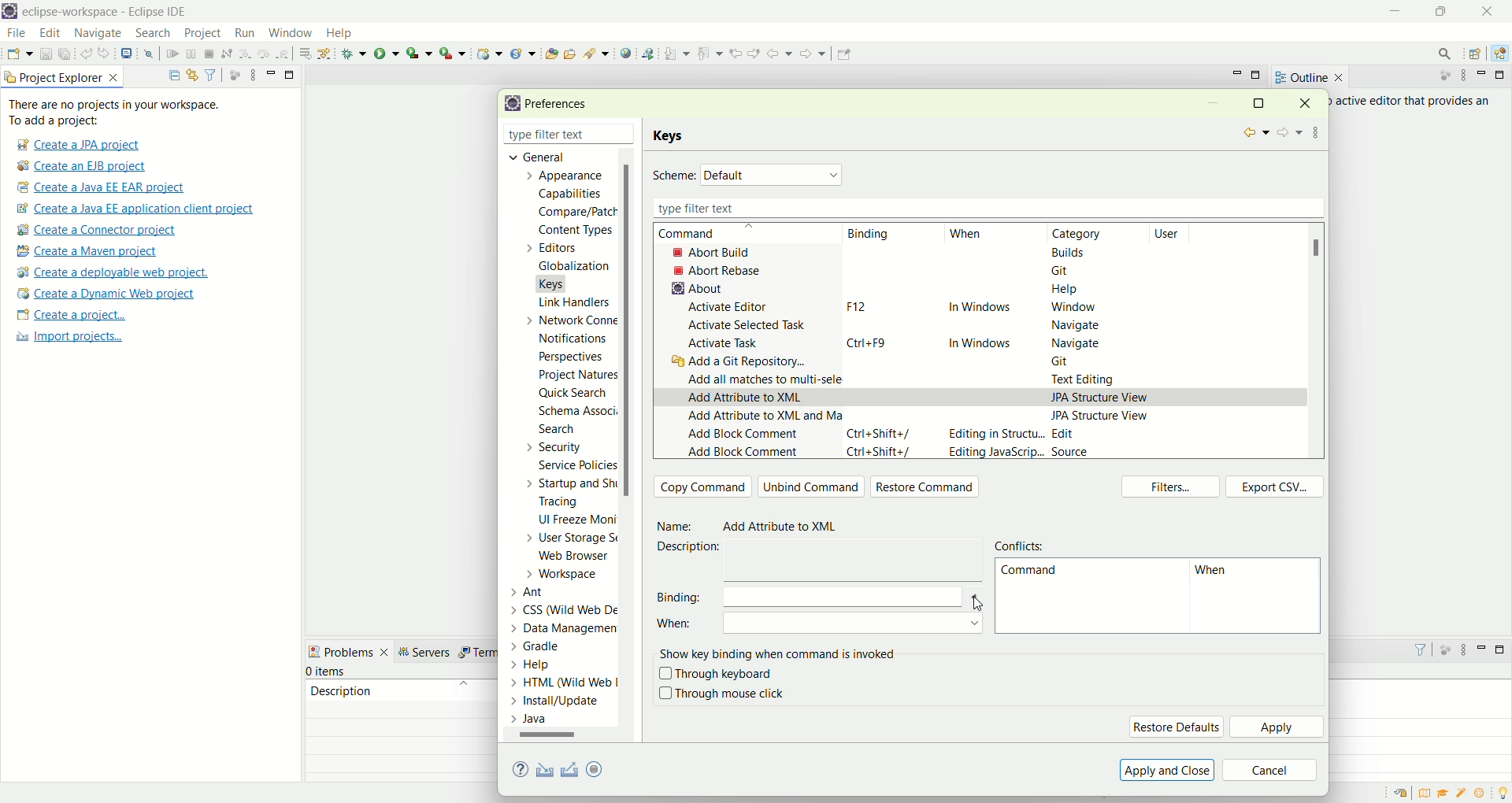 The image size is (1512, 803). I want to click on category, so click(1084, 234).